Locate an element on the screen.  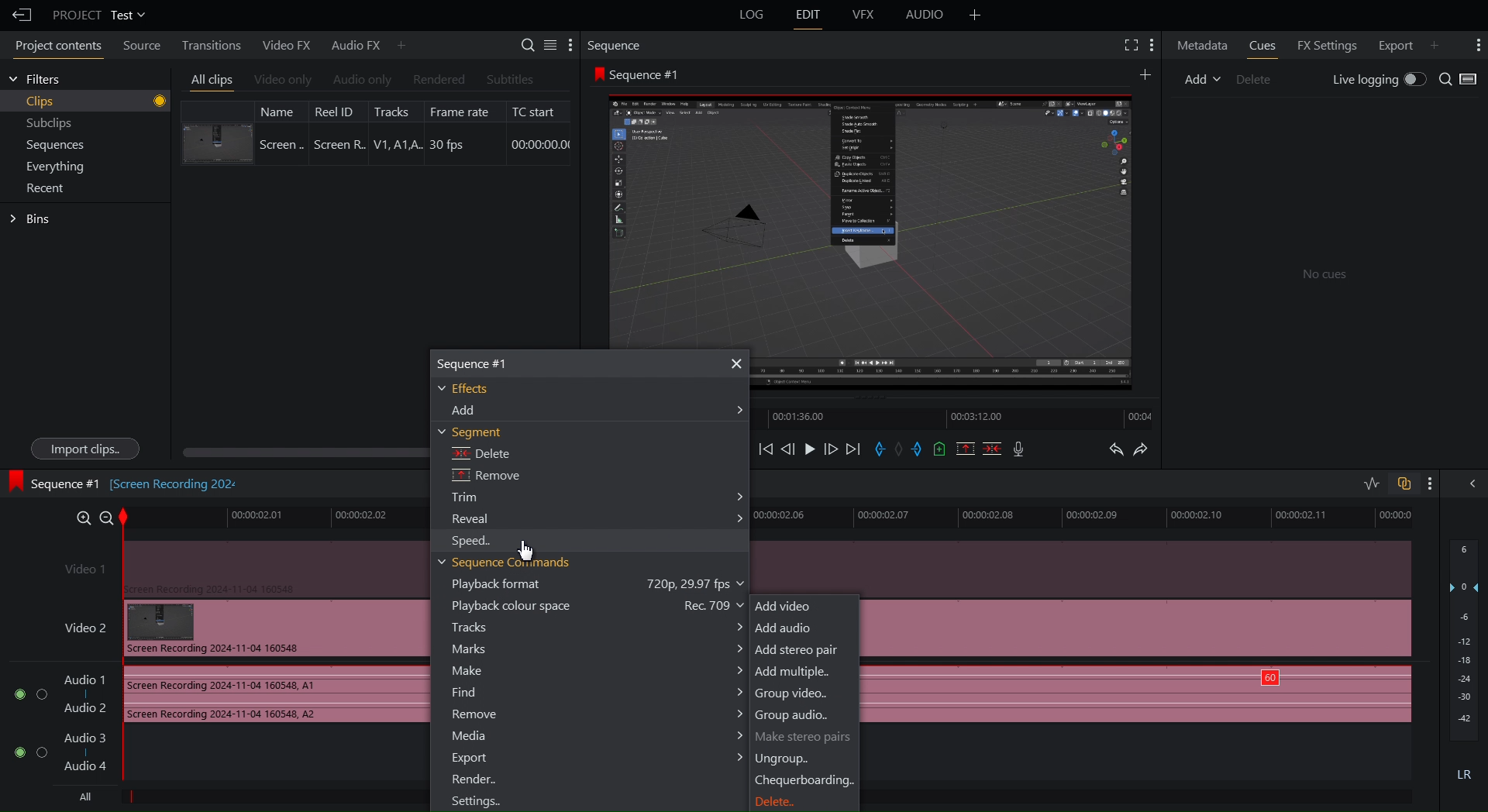
FX Settings is located at coordinates (1324, 43).